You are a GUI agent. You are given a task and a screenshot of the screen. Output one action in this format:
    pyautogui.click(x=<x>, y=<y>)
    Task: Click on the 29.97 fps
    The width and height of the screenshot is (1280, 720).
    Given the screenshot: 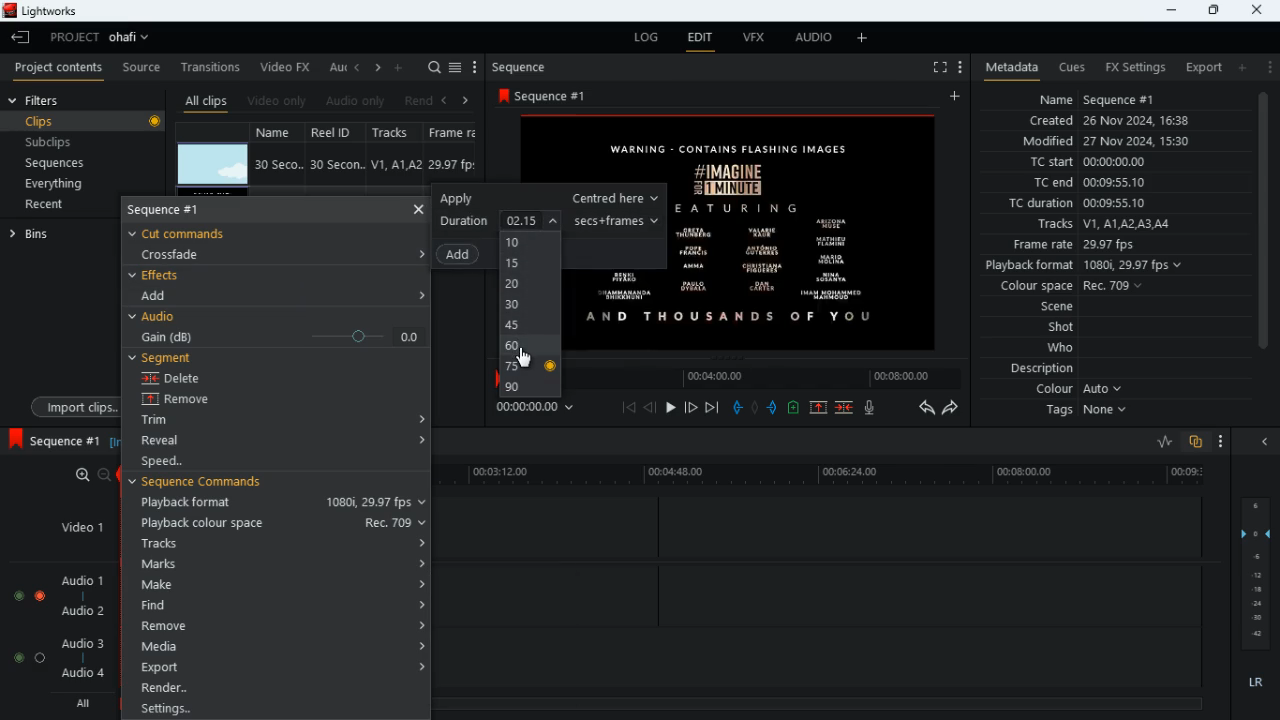 What is the action you would take?
    pyautogui.click(x=457, y=165)
    